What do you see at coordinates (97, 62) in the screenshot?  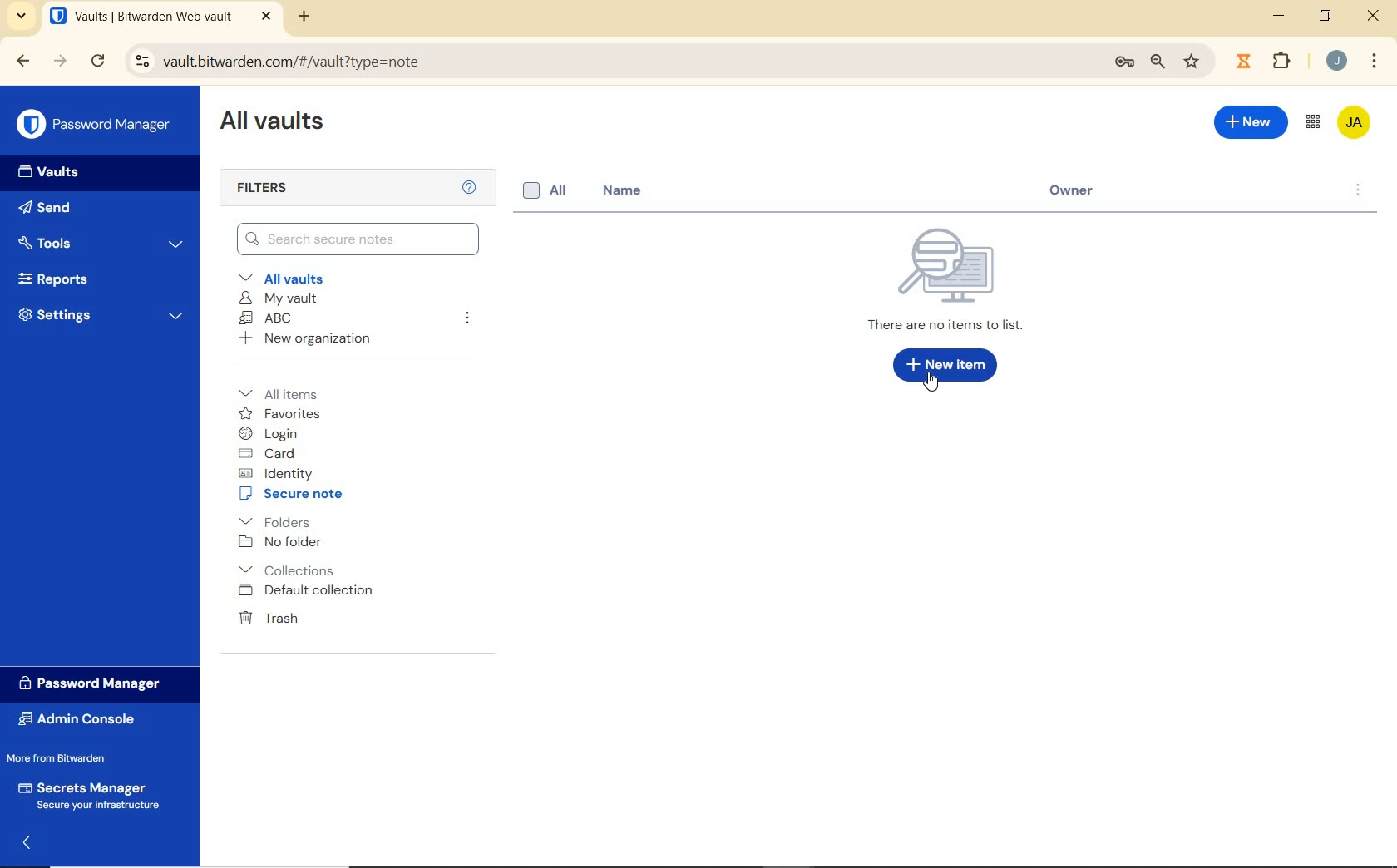 I see `reload` at bounding box center [97, 62].